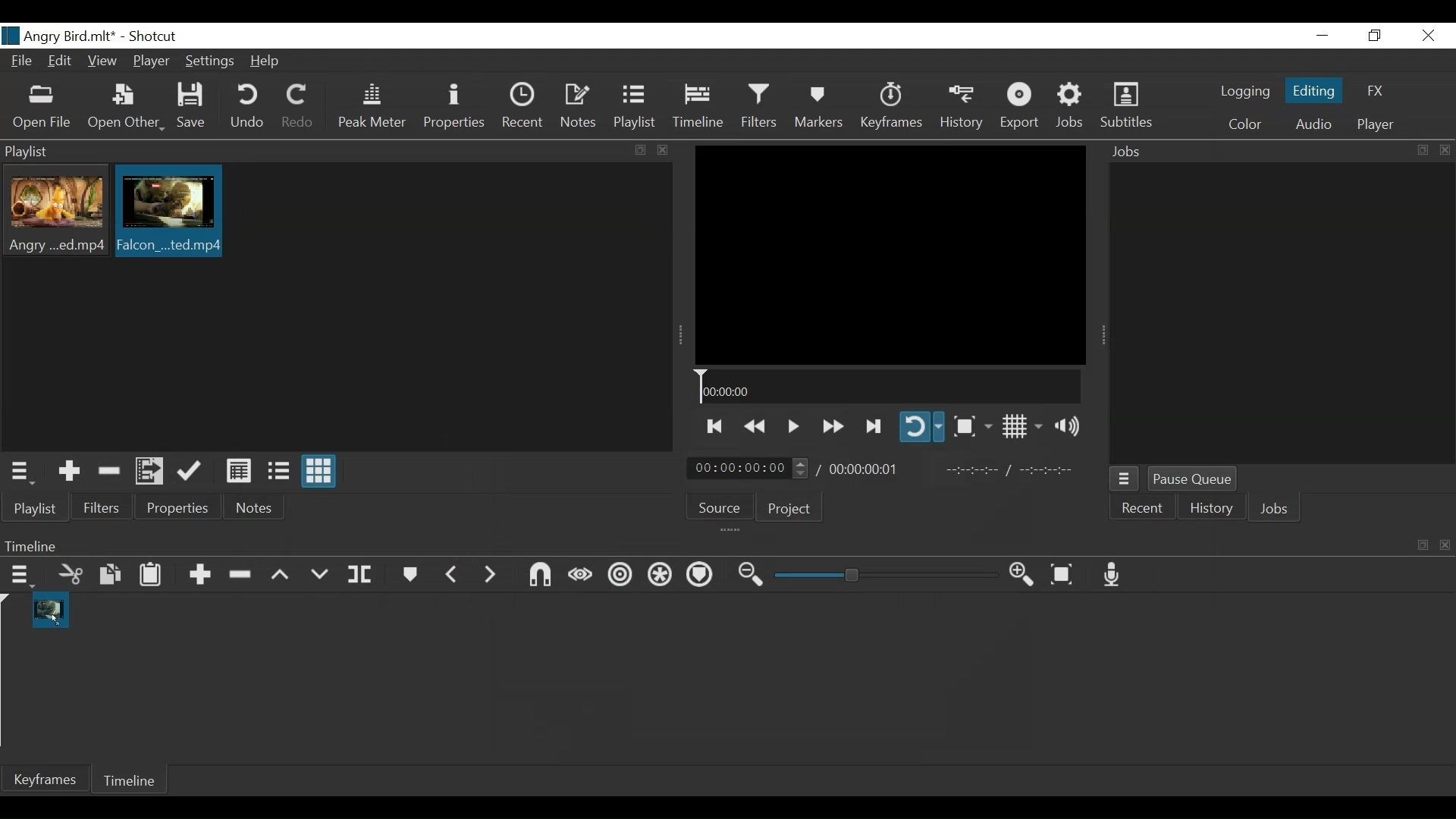 Image resolution: width=1456 pixels, height=819 pixels. What do you see at coordinates (1073, 426) in the screenshot?
I see `Show volume control` at bounding box center [1073, 426].